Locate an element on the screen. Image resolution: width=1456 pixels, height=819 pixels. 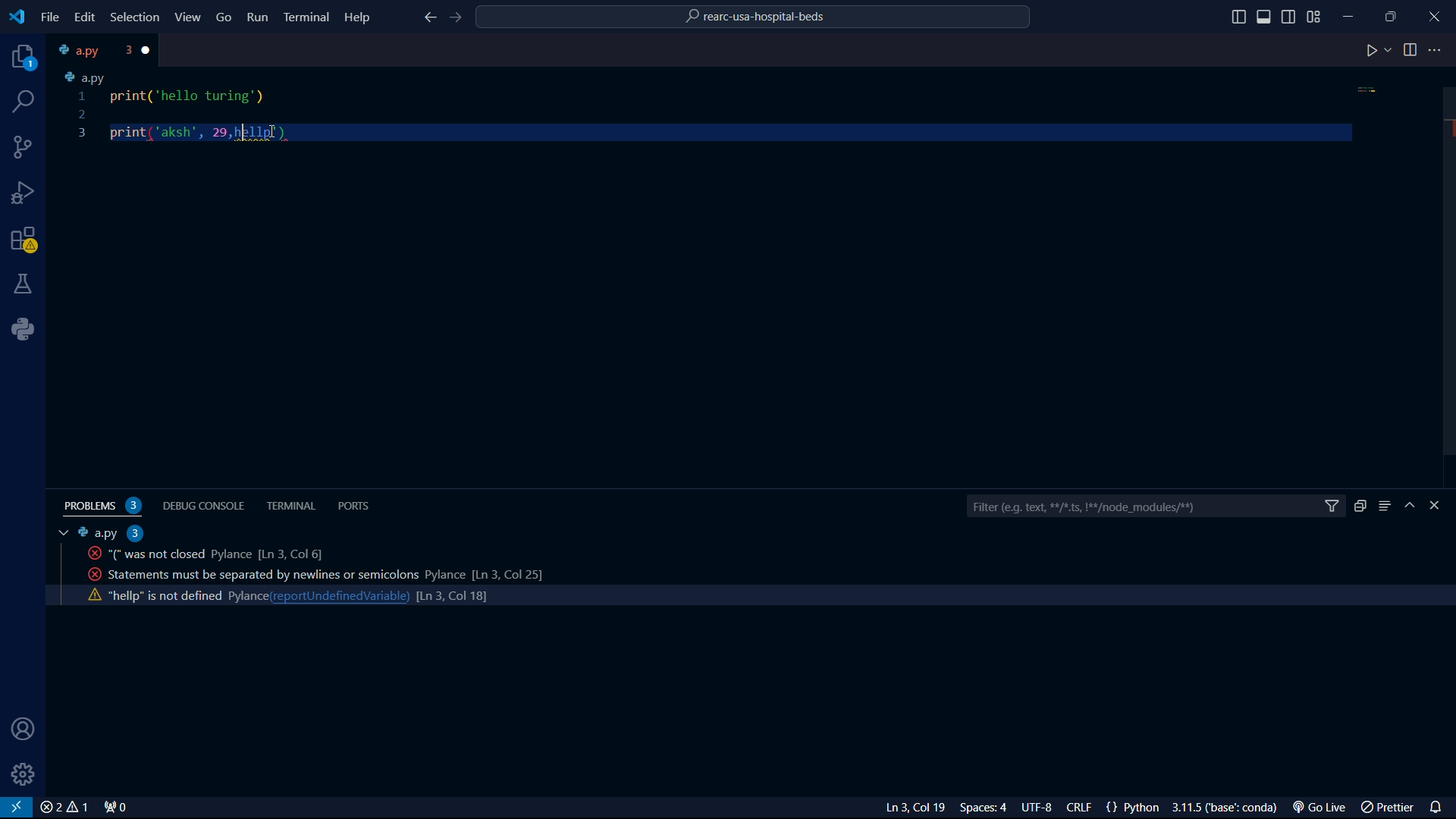
activity code is located at coordinates (166, 594).